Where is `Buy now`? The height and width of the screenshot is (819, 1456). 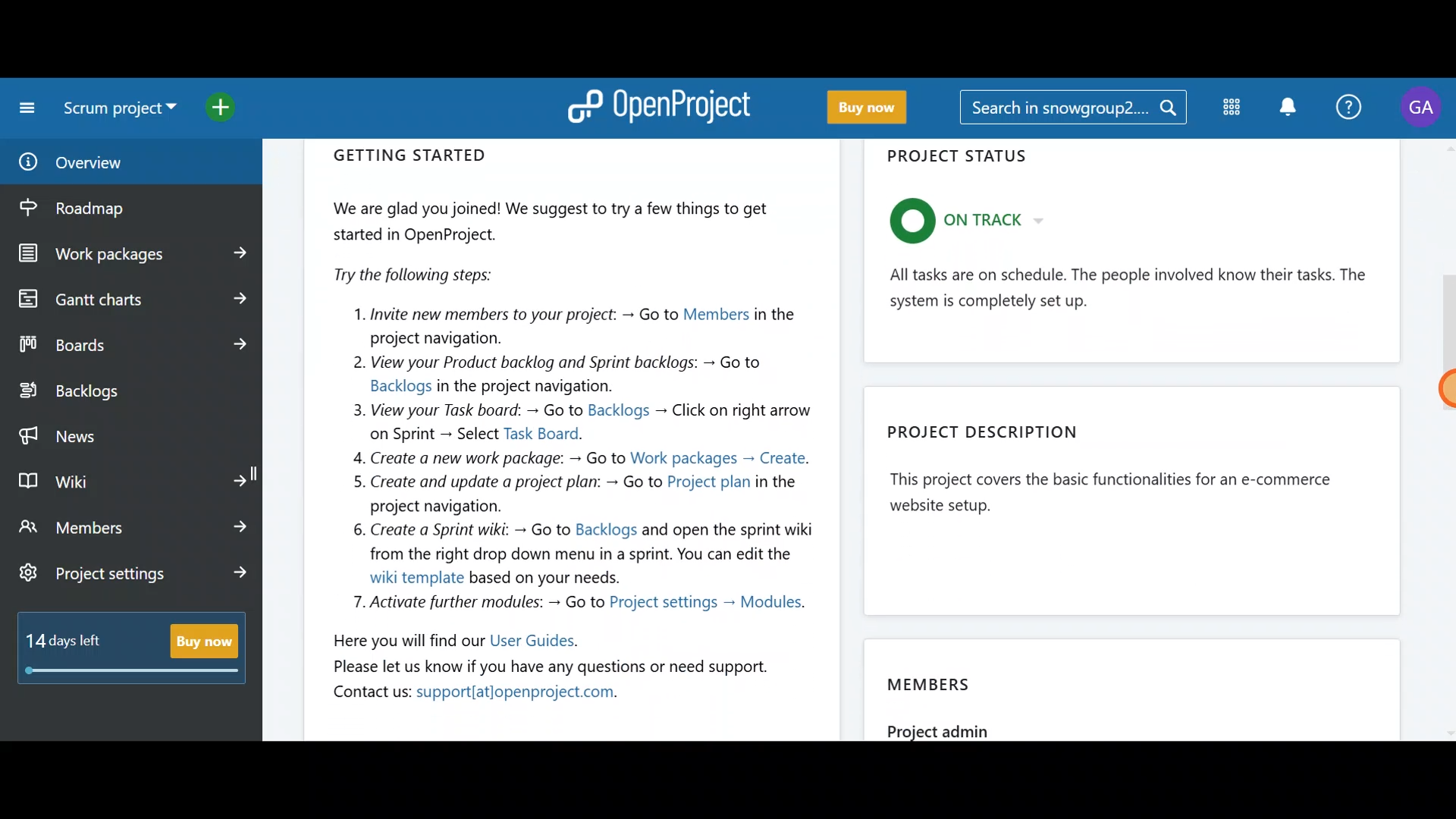
Buy now is located at coordinates (138, 657).